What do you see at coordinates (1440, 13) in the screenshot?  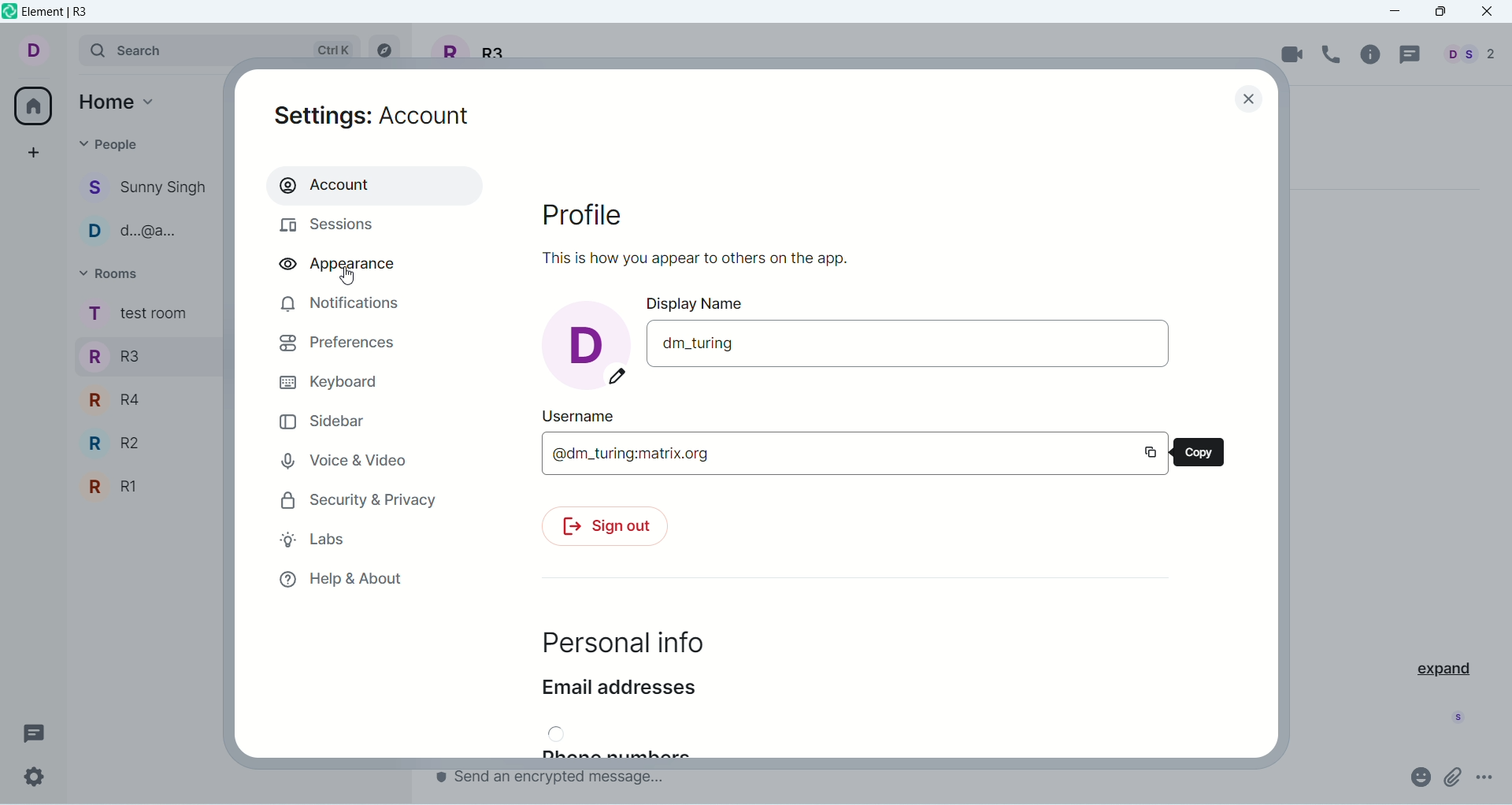 I see `maximize` at bounding box center [1440, 13].